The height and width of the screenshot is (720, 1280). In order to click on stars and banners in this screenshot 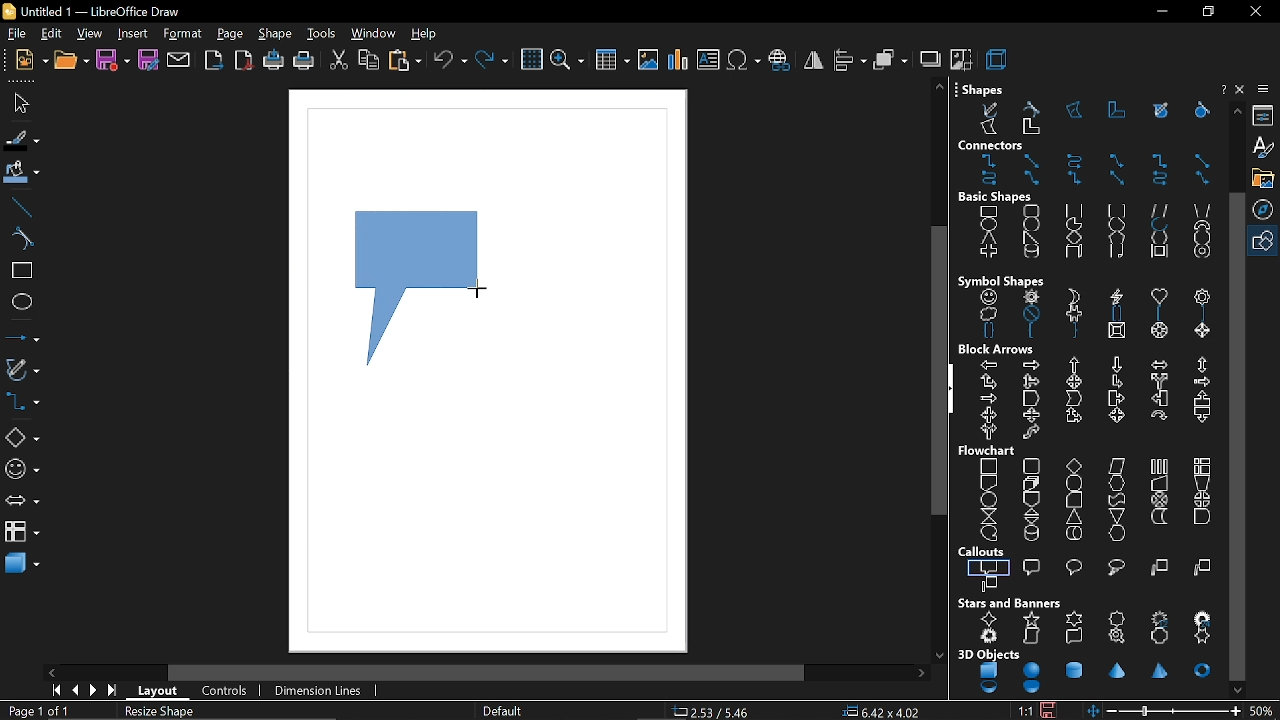, I will do `click(1011, 603)`.